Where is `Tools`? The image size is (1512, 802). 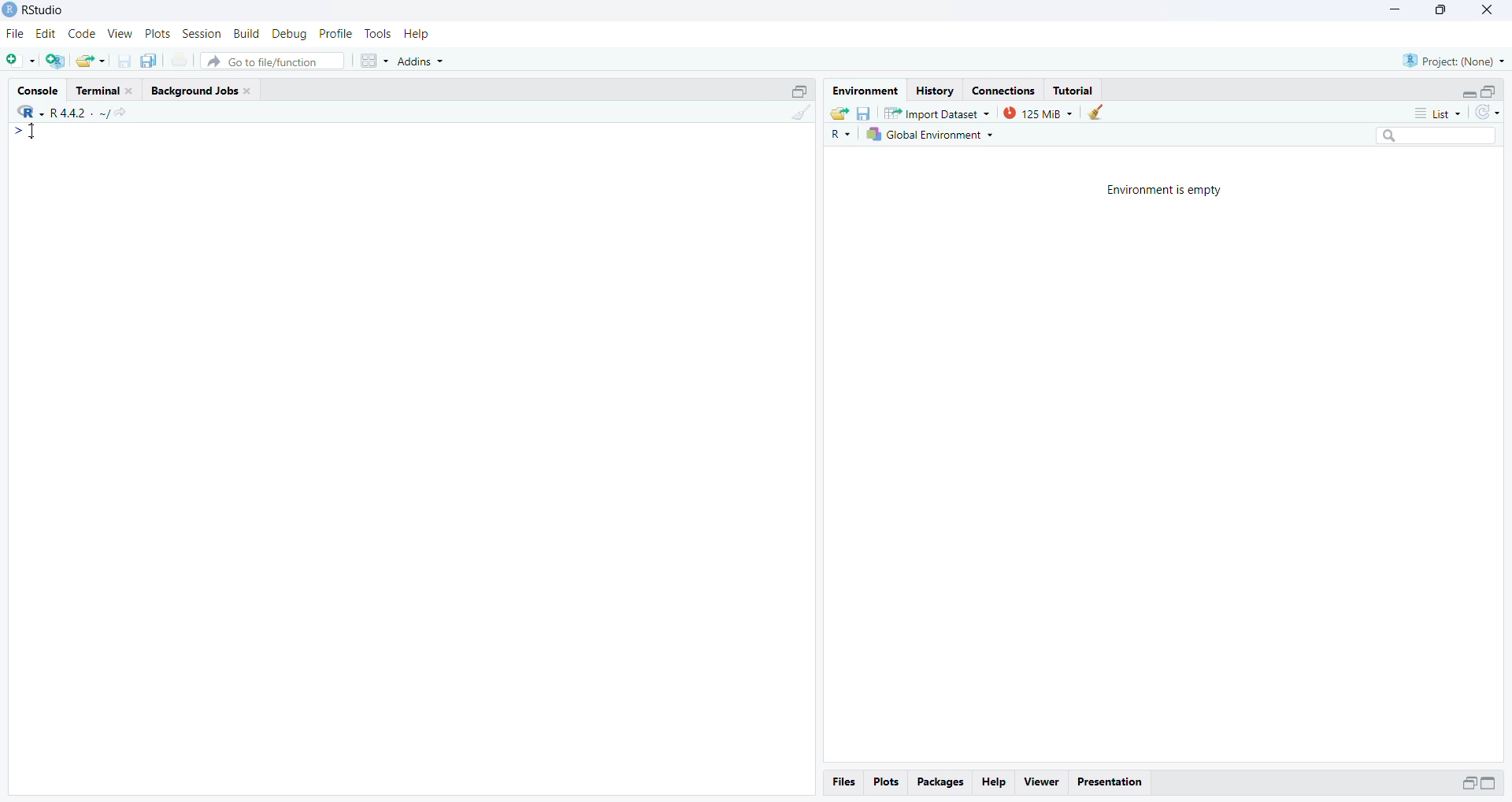 Tools is located at coordinates (376, 32).